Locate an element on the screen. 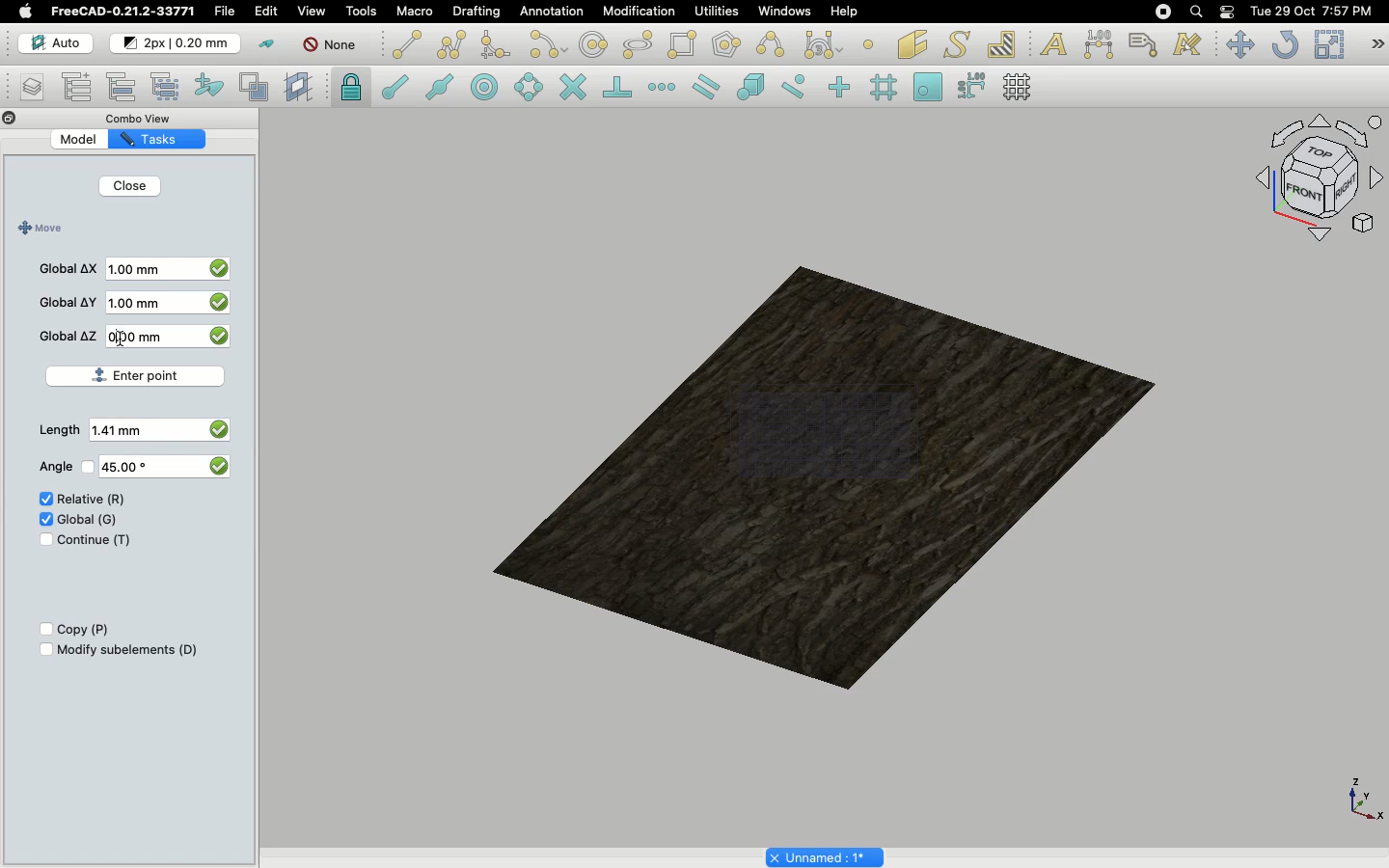 Image resolution: width=1389 pixels, height=868 pixels. Global is located at coordinates (89, 518).